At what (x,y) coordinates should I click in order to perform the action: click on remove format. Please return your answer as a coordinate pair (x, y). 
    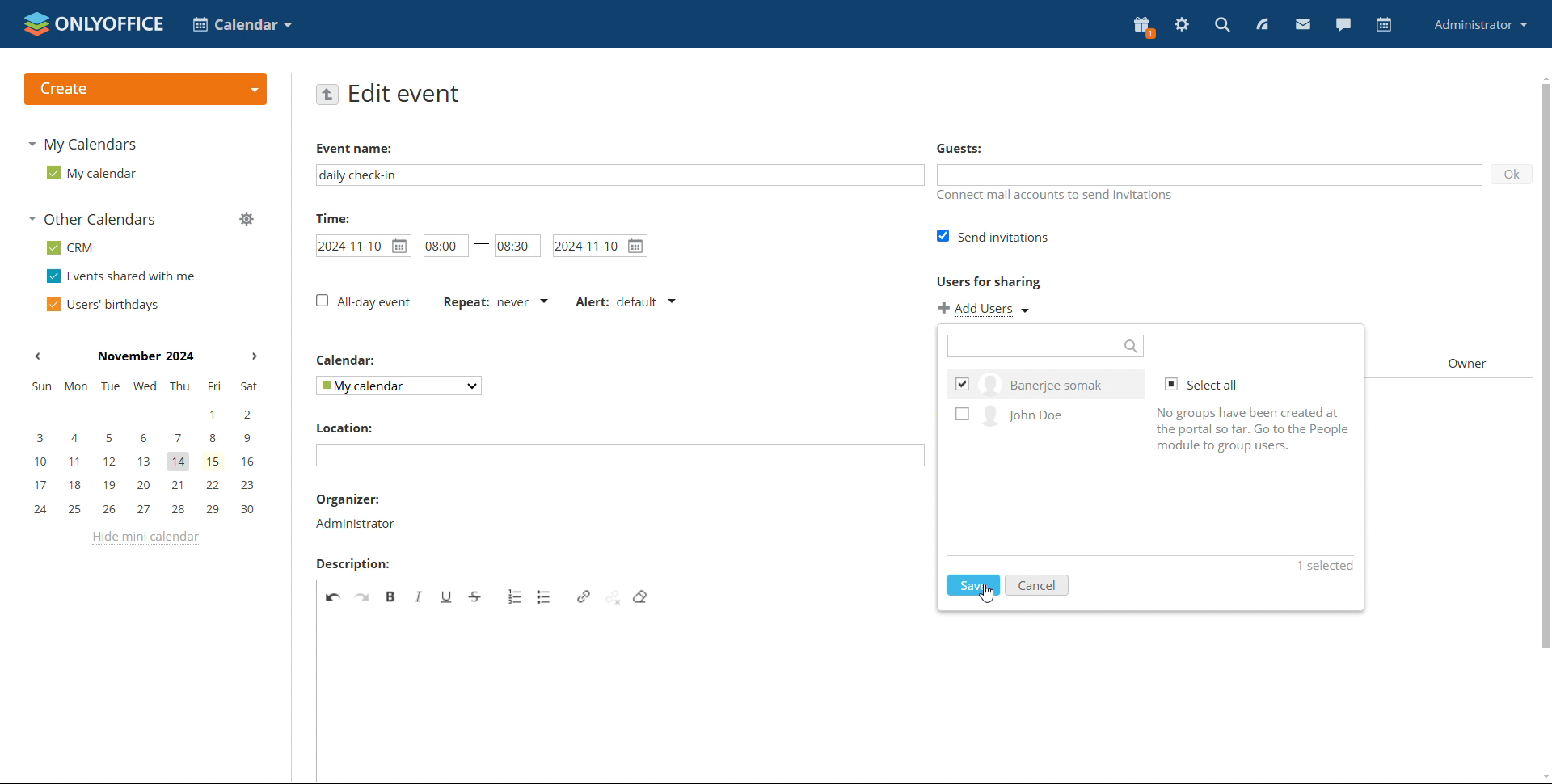
    Looking at the image, I should click on (641, 596).